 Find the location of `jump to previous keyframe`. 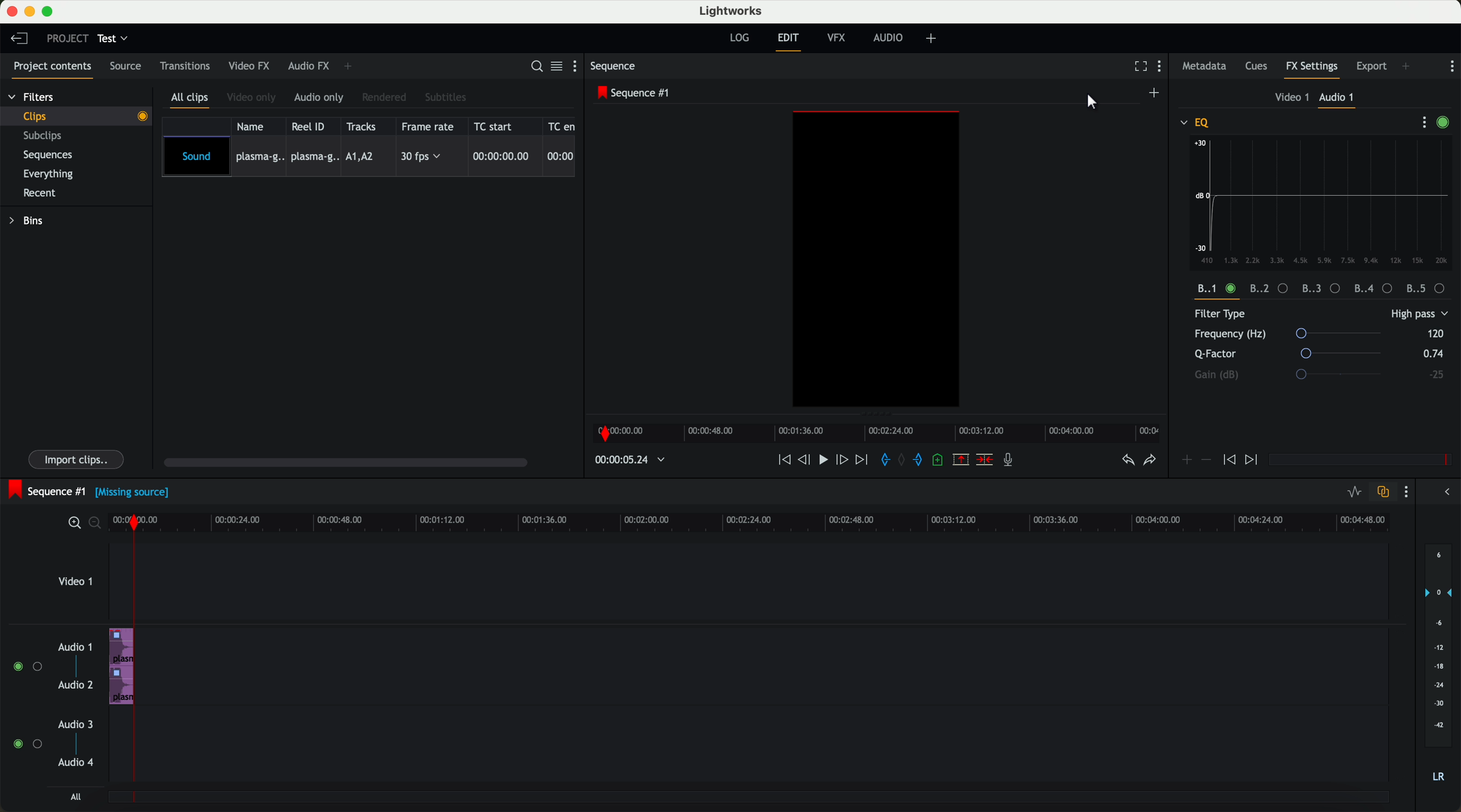

jump to previous keyframe is located at coordinates (1230, 463).